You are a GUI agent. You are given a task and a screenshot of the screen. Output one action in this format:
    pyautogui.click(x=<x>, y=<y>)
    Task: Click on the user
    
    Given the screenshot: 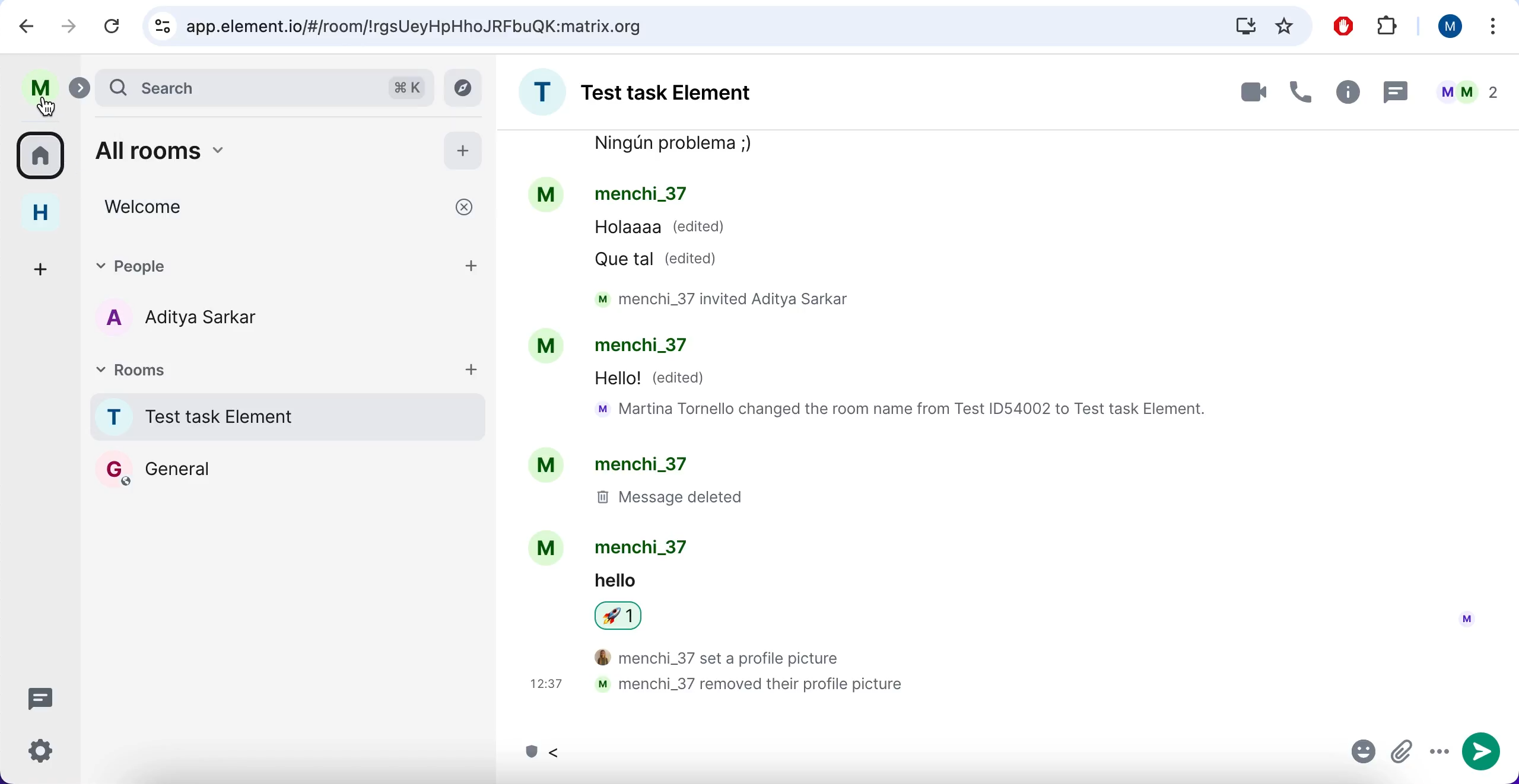 What is the action you would take?
    pyautogui.click(x=1446, y=29)
    